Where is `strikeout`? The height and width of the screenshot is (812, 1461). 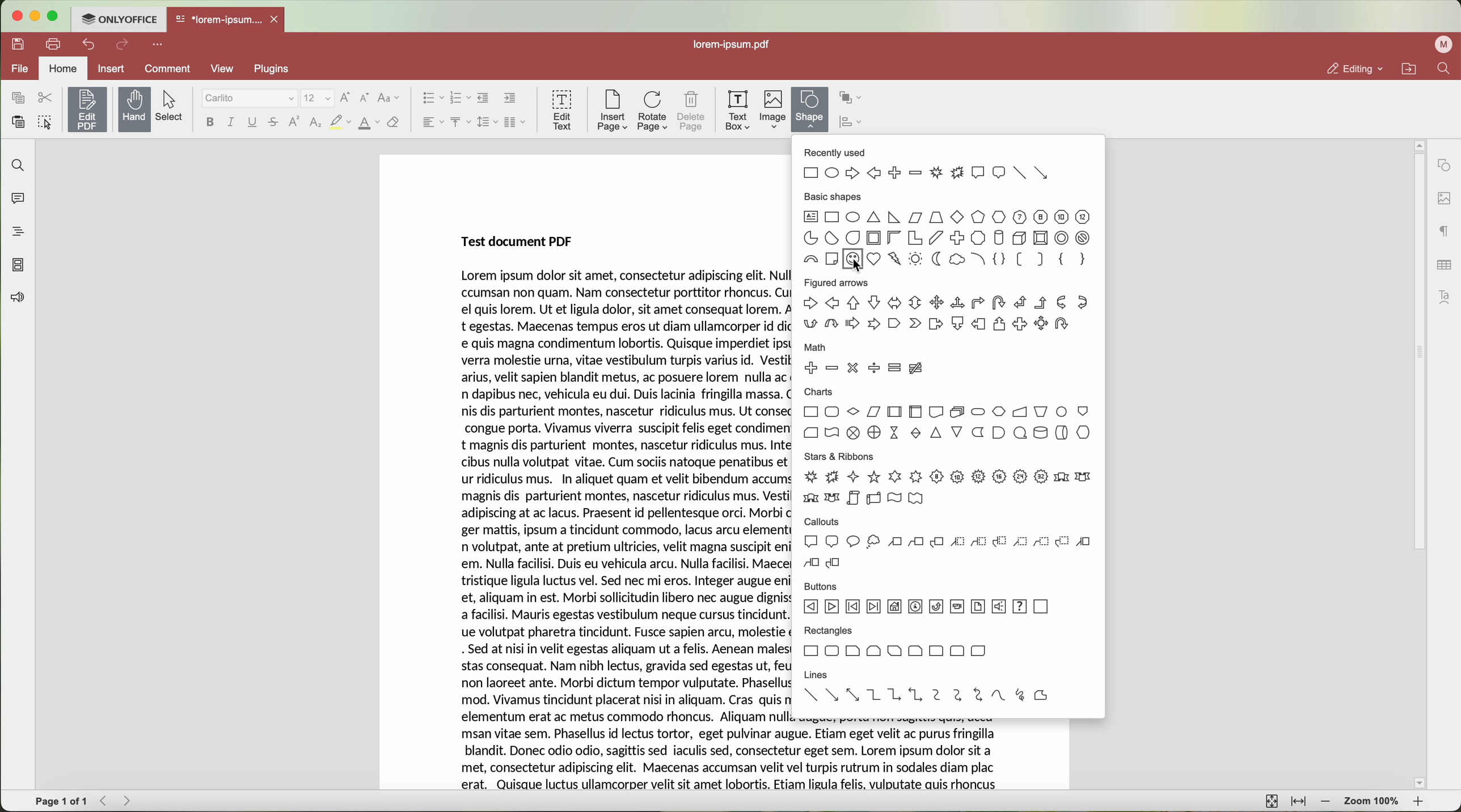
strikeout is located at coordinates (340, 122).